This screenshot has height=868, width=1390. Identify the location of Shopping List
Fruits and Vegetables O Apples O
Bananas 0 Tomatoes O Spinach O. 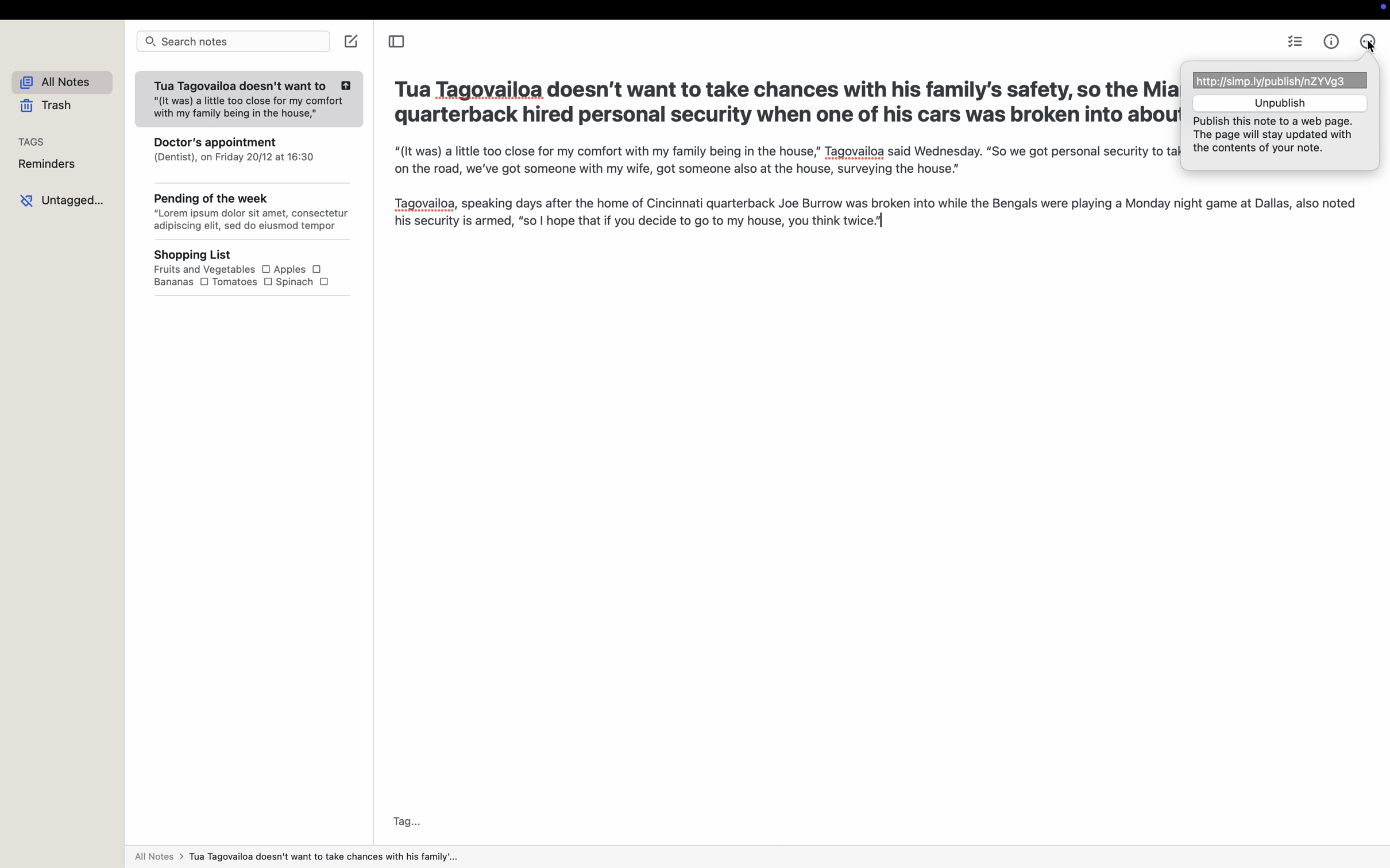
(259, 269).